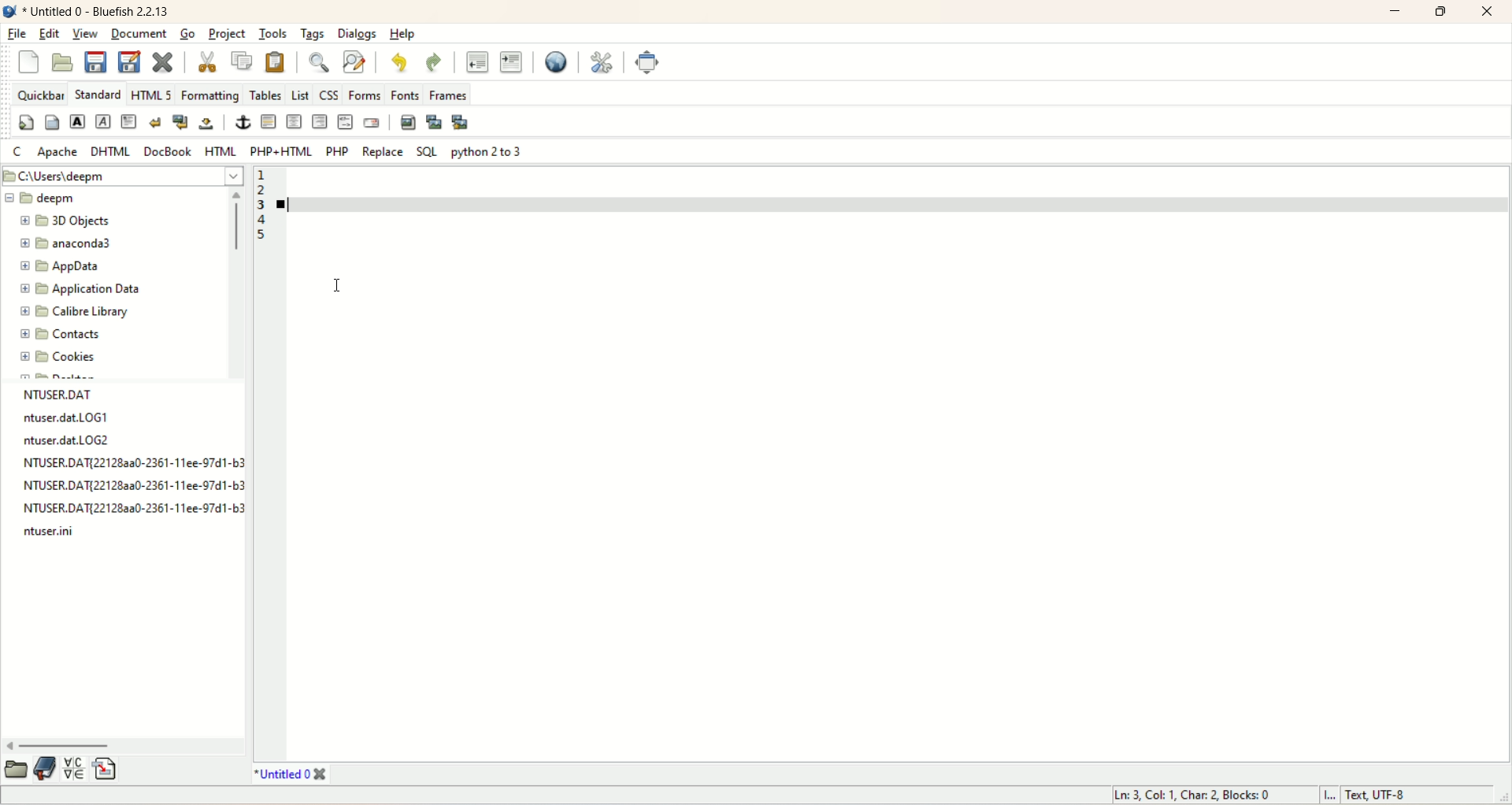 The height and width of the screenshot is (805, 1512). Describe the element at coordinates (485, 152) in the screenshot. I see `python 2 to 3` at that location.